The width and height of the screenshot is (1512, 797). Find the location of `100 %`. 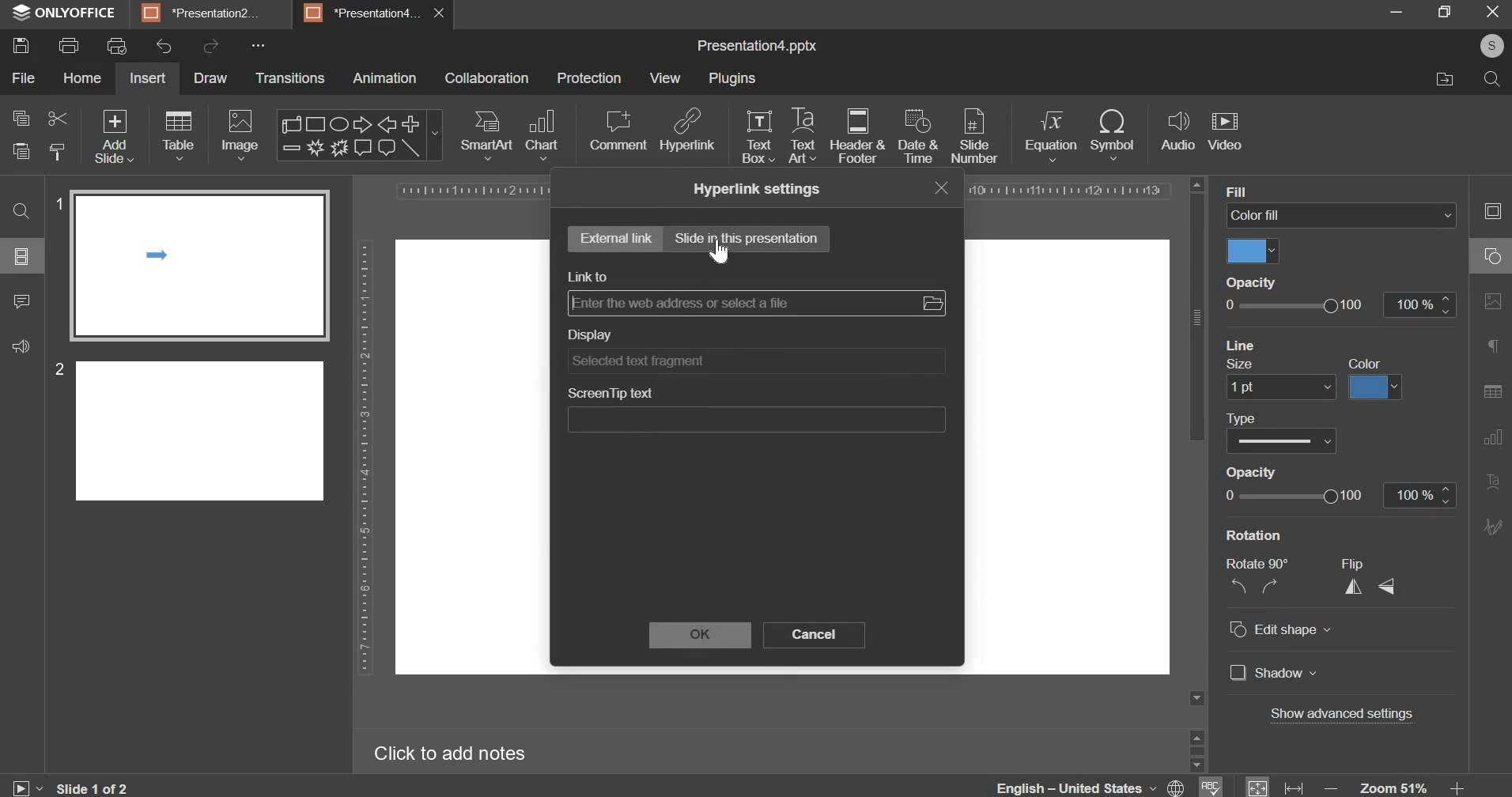

100 % is located at coordinates (1416, 494).